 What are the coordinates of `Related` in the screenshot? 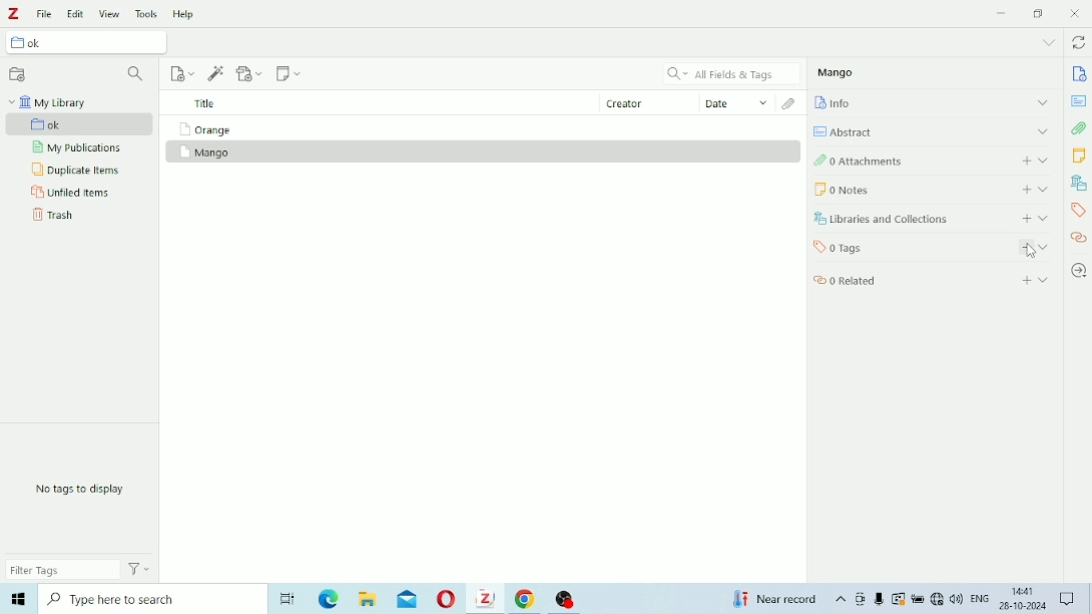 It's located at (1079, 237).